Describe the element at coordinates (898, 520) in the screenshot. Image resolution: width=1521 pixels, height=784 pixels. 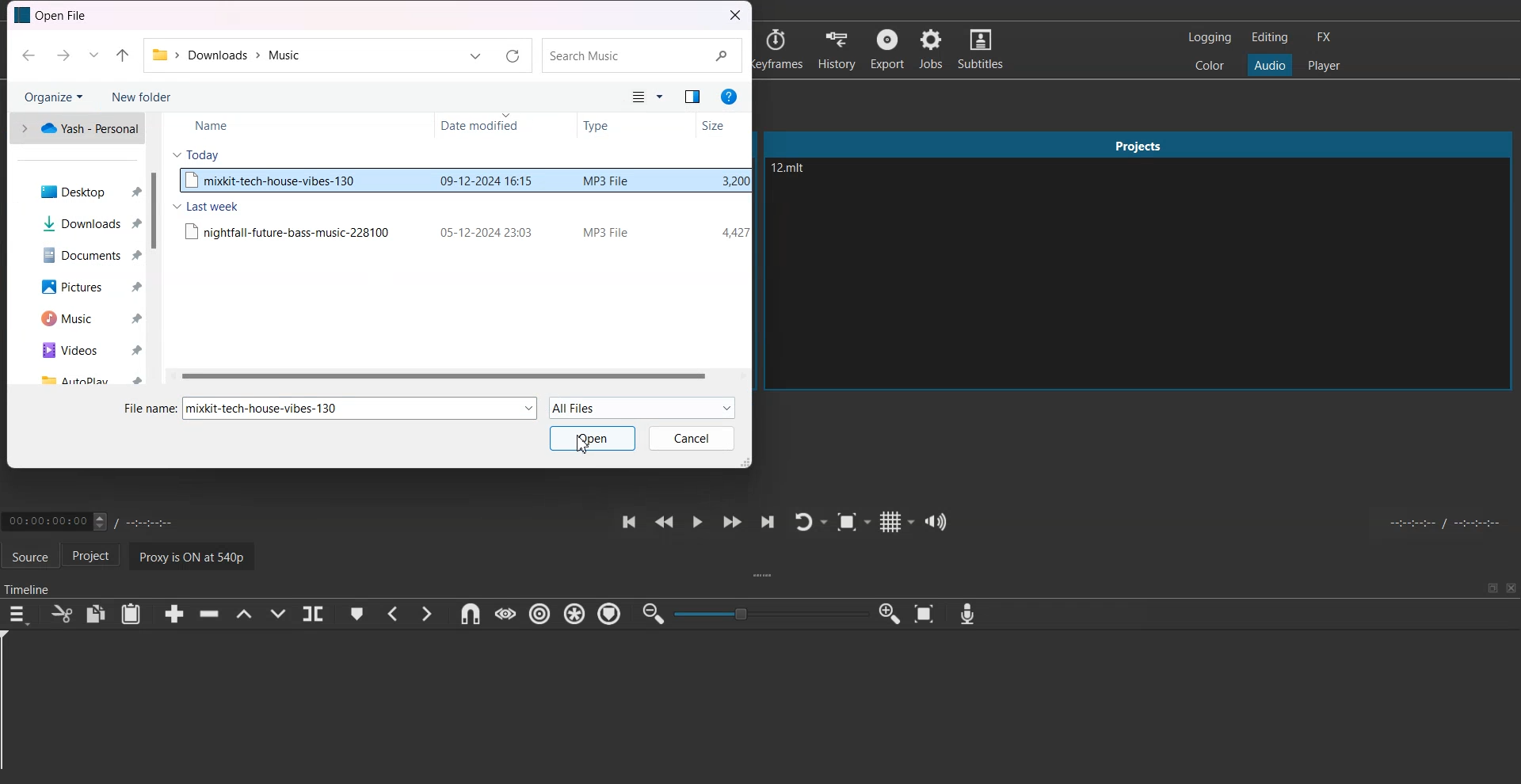
I see `Toggle grid display on the player` at that location.